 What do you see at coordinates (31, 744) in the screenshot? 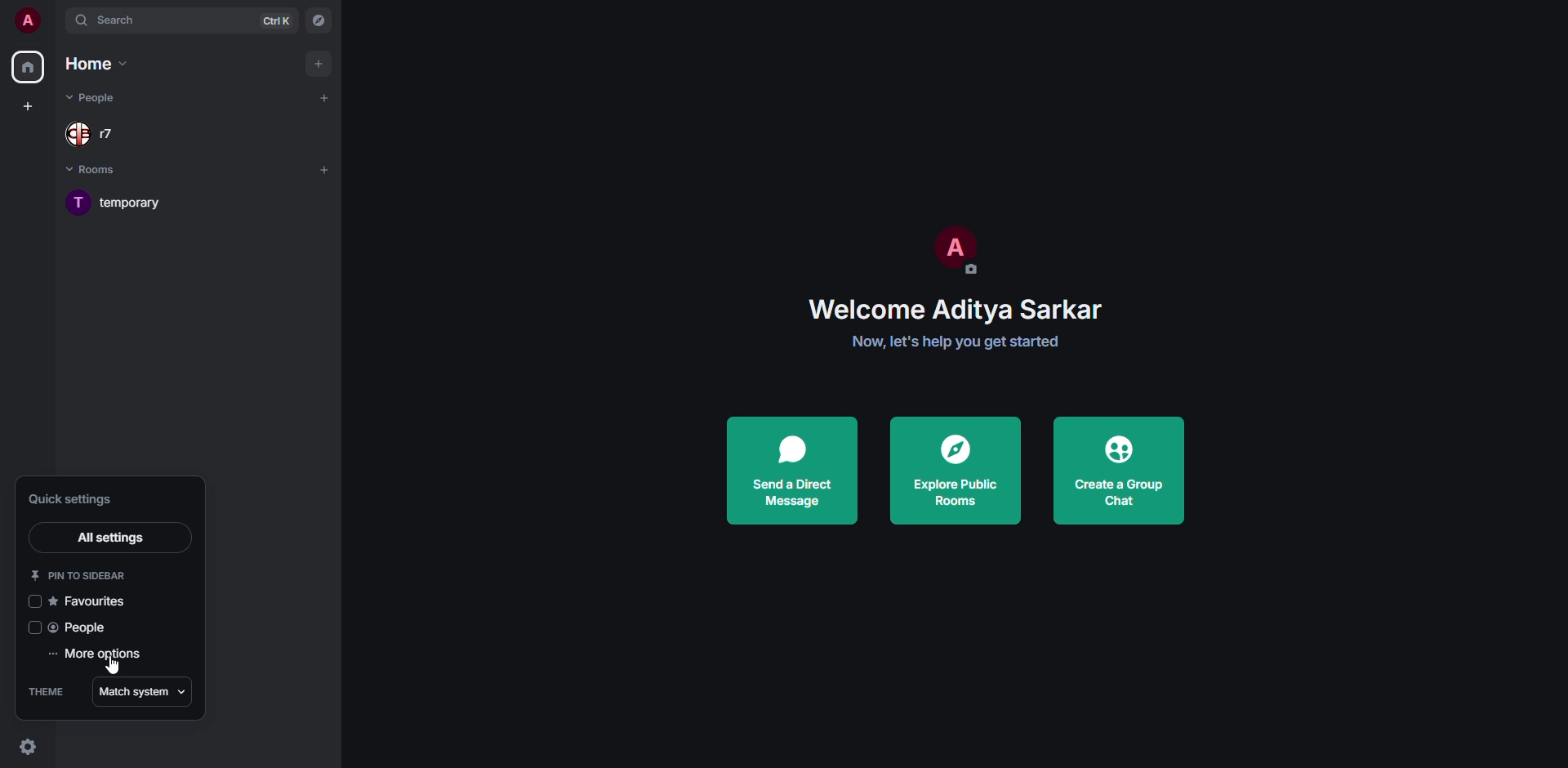
I see `quick settings` at bounding box center [31, 744].